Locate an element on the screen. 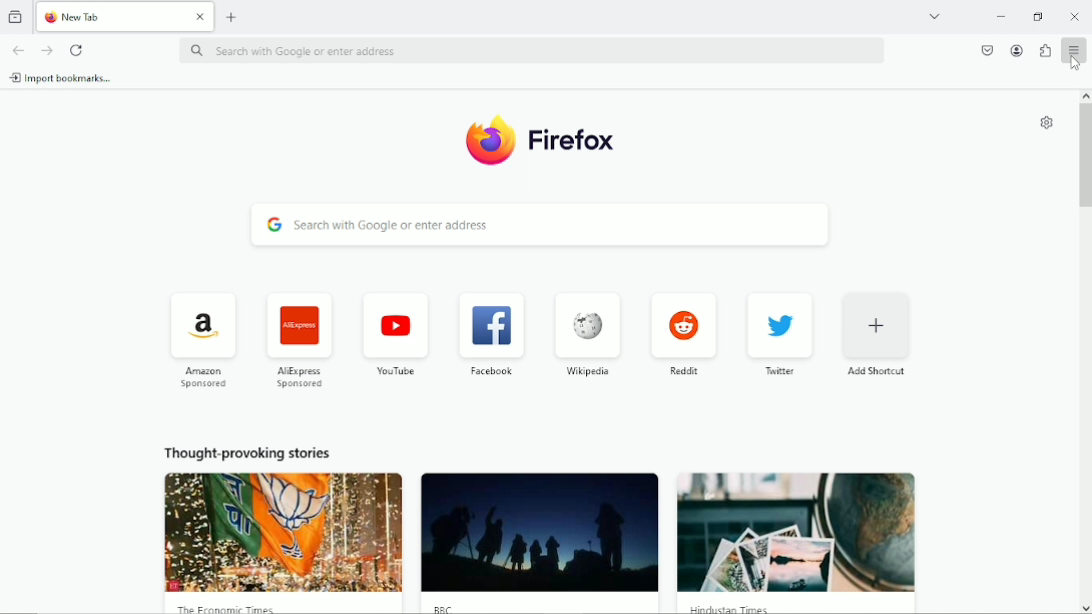 The height and width of the screenshot is (614, 1092). Add shortcut is located at coordinates (876, 332).